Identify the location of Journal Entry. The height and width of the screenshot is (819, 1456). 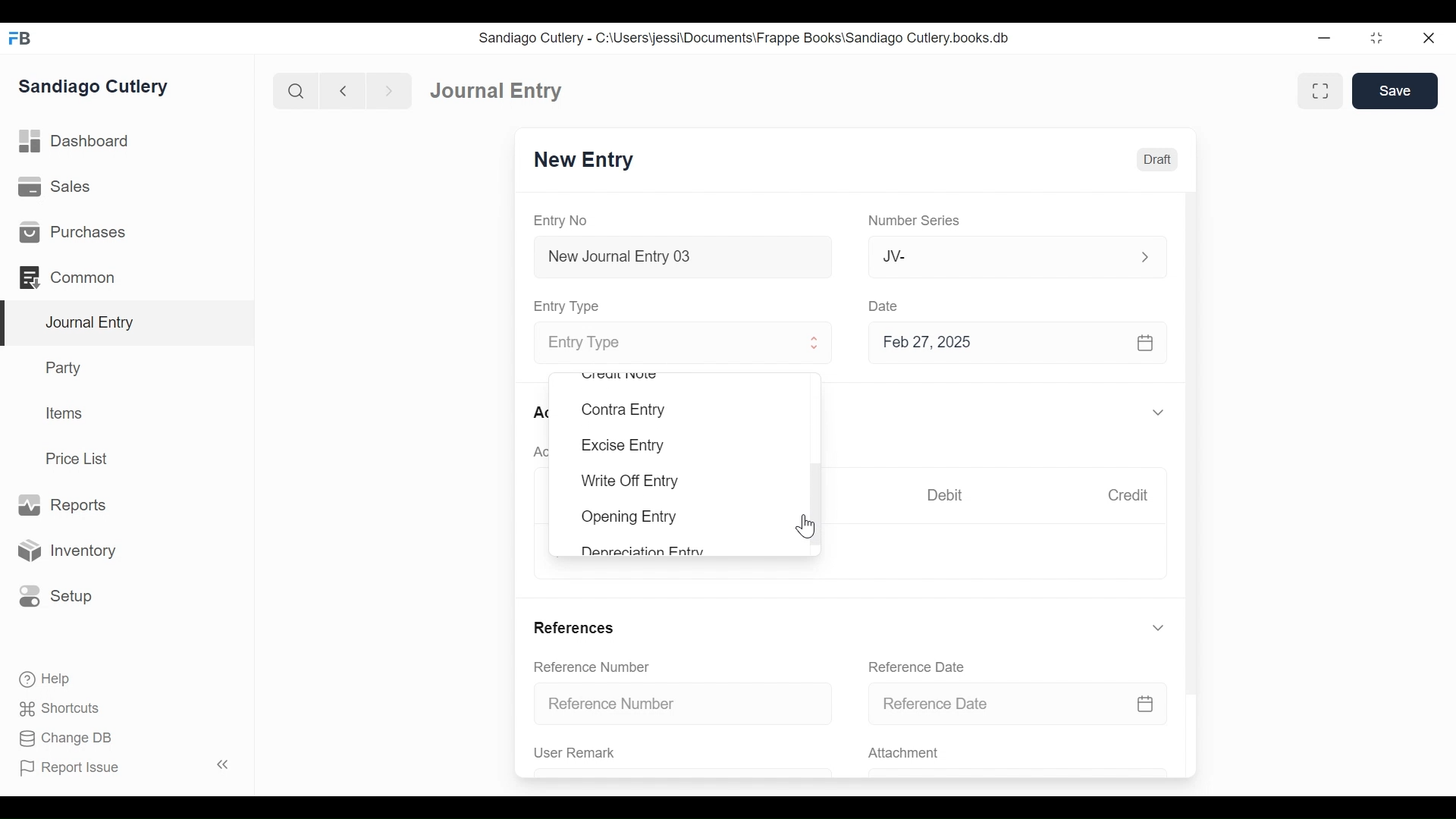
(498, 91).